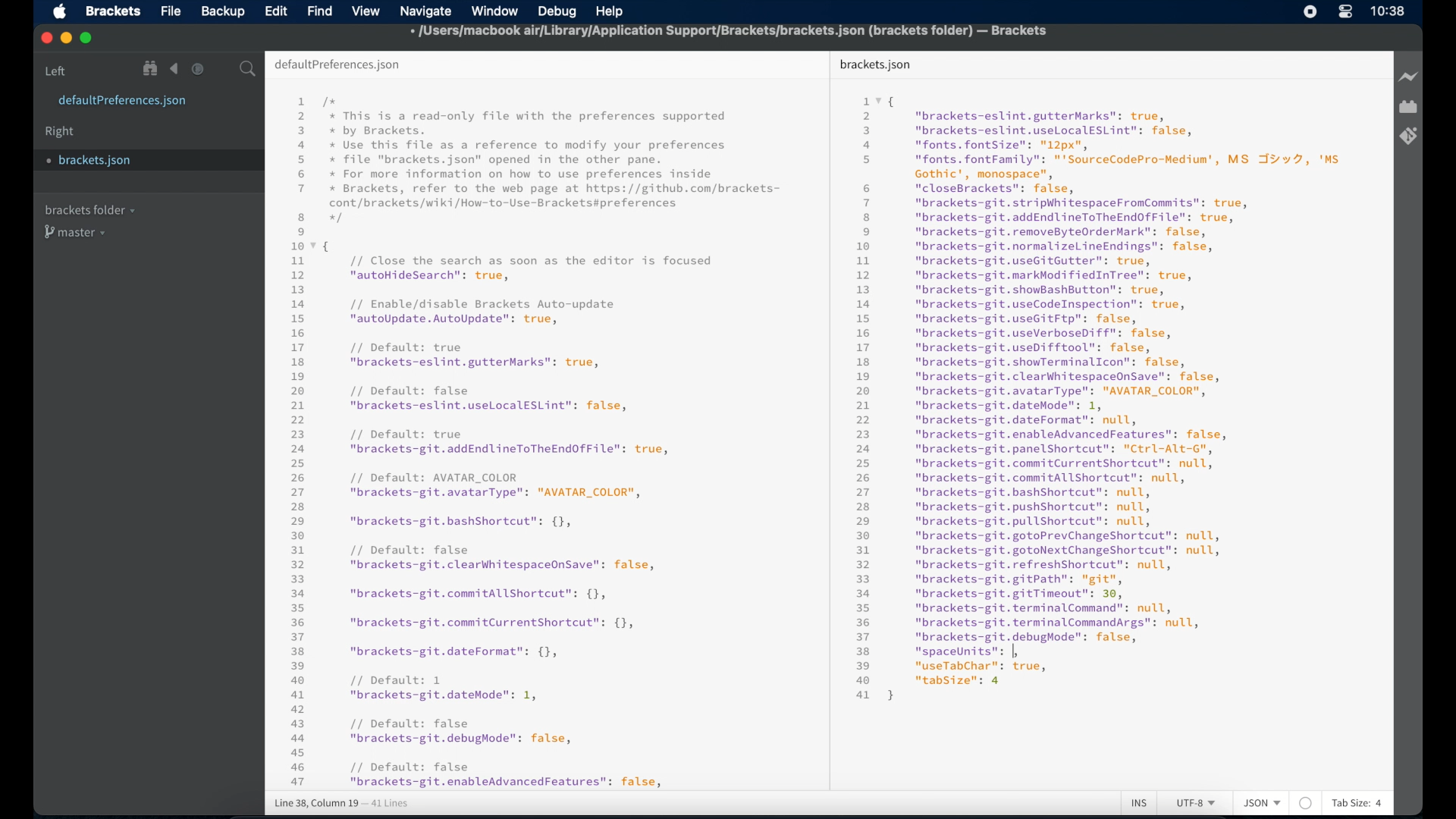 The image size is (1456, 819). Describe the element at coordinates (114, 11) in the screenshot. I see `brackets` at that location.